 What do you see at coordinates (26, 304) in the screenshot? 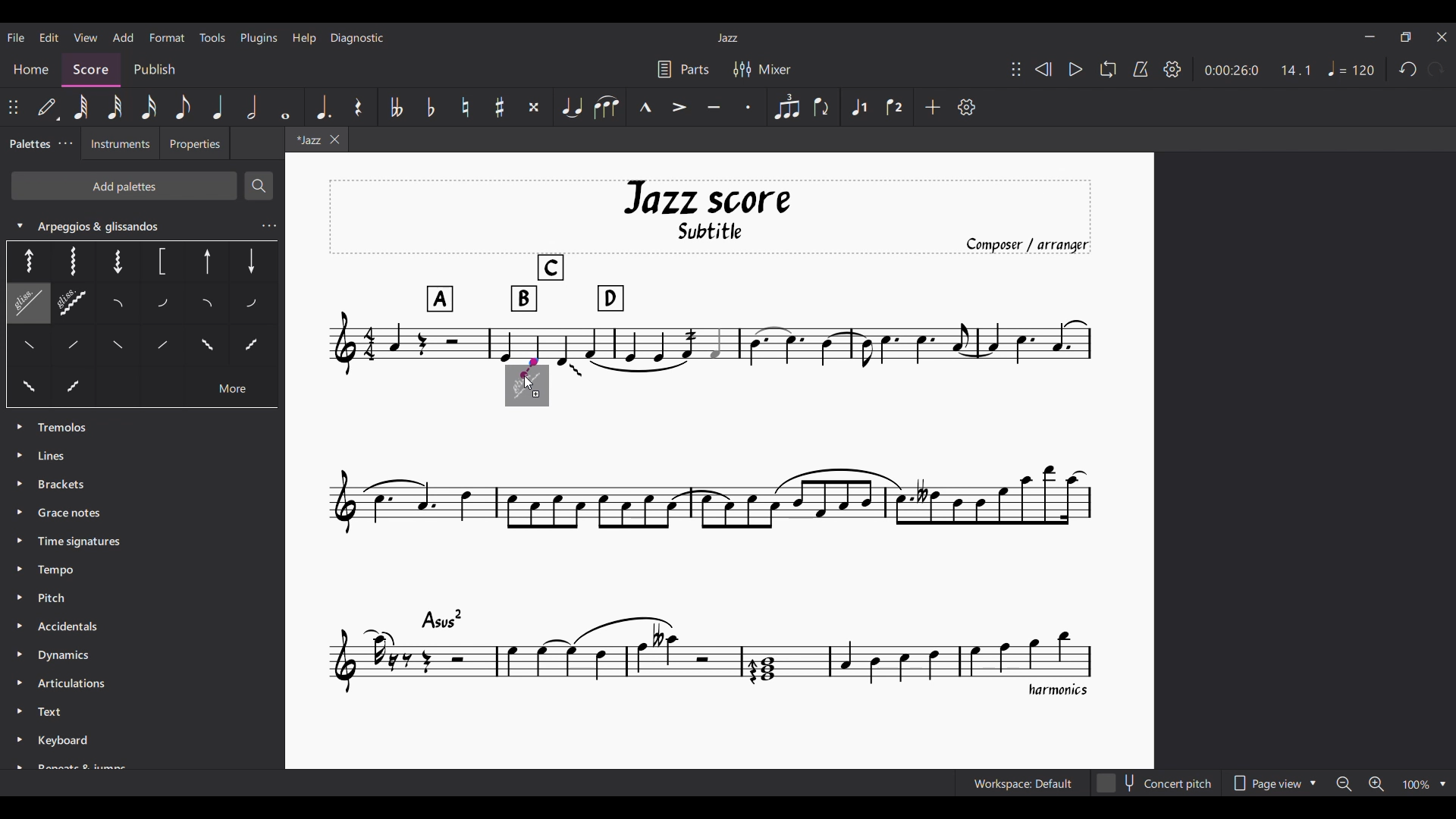
I see `Current selection highlighted` at bounding box center [26, 304].